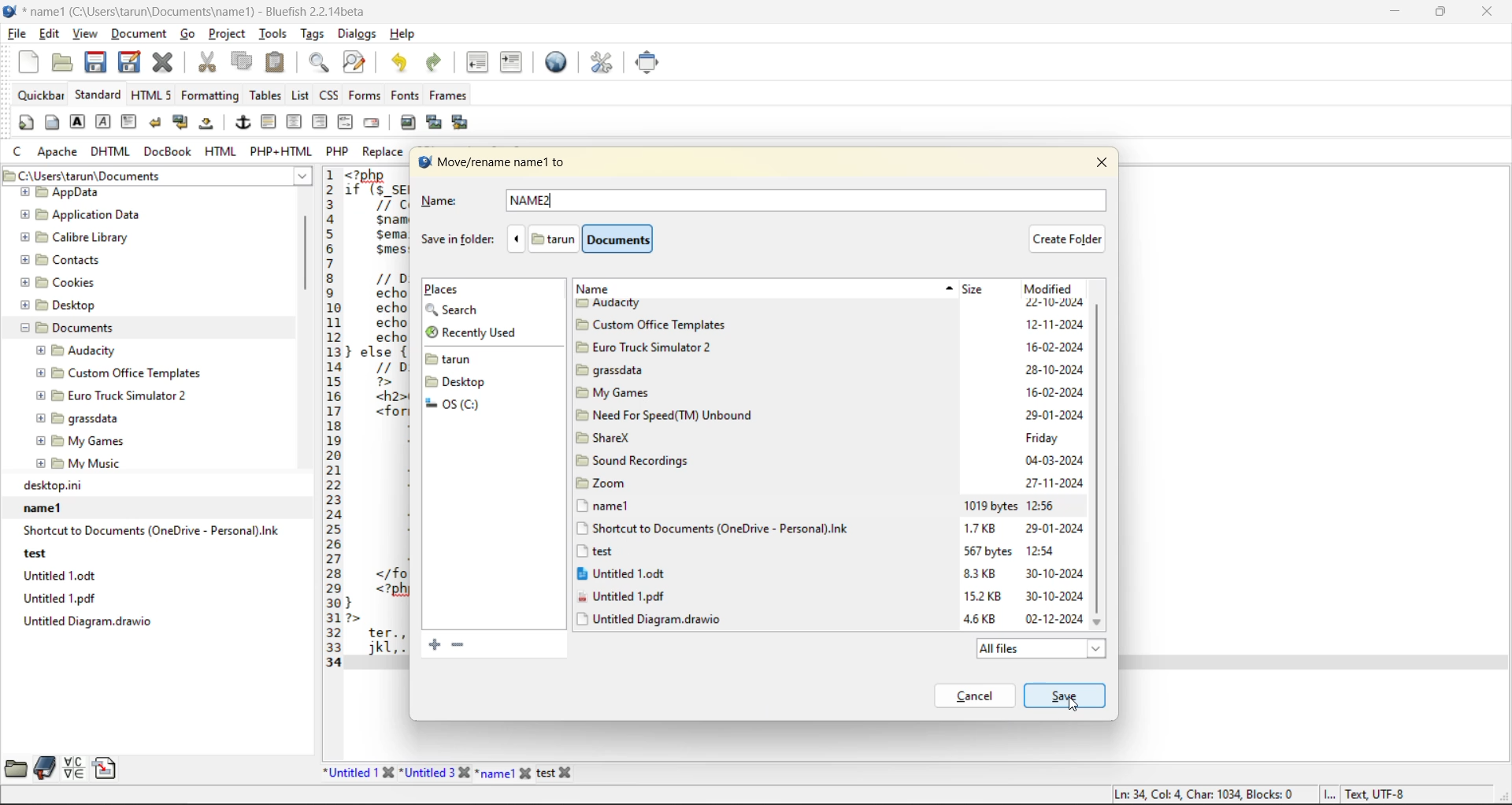  I want to click on modified date, so click(1059, 466).